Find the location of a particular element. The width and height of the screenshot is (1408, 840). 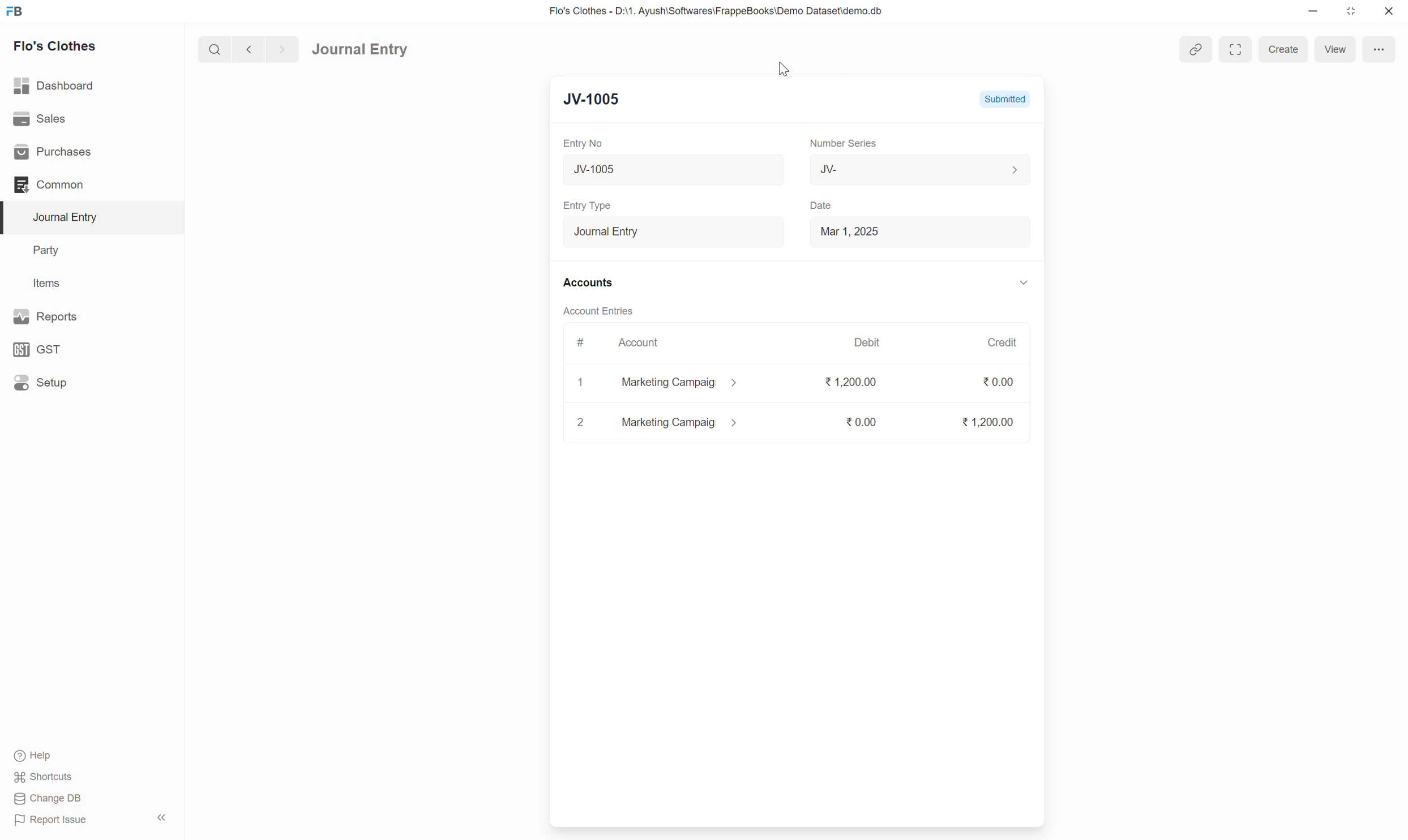

Date is located at coordinates (824, 206).